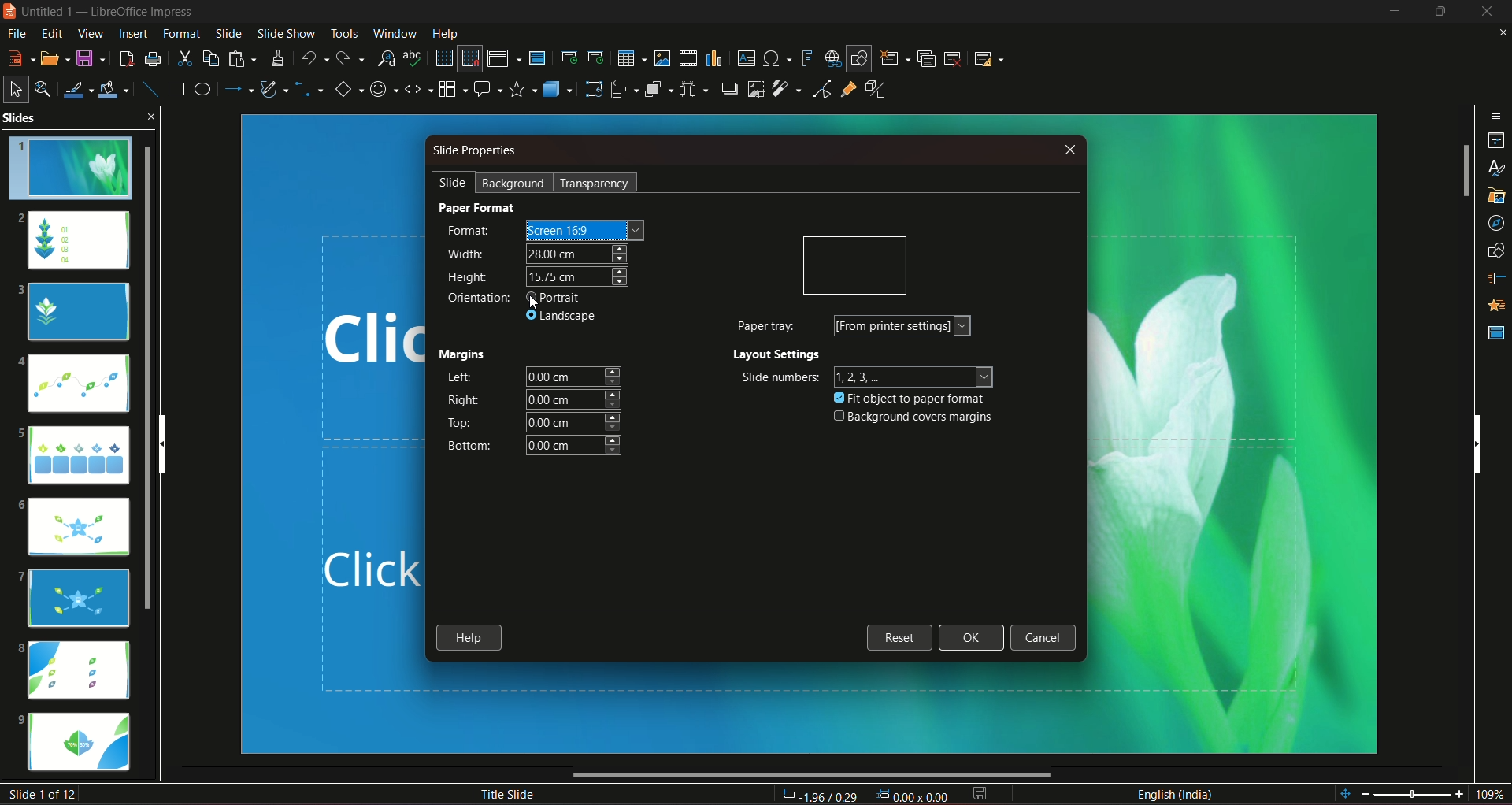  What do you see at coordinates (78, 670) in the screenshot?
I see `slide 8` at bounding box center [78, 670].